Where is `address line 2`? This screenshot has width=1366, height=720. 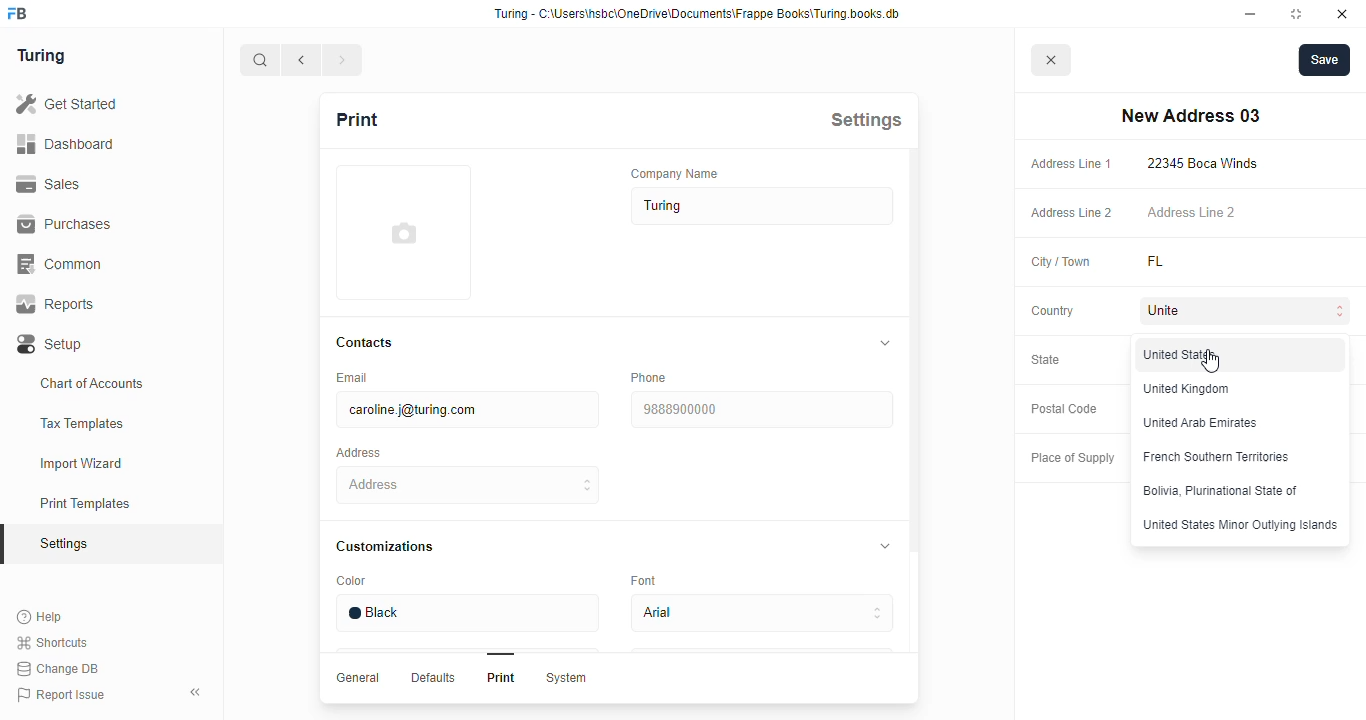
address line 2 is located at coordinates (1072, 213).